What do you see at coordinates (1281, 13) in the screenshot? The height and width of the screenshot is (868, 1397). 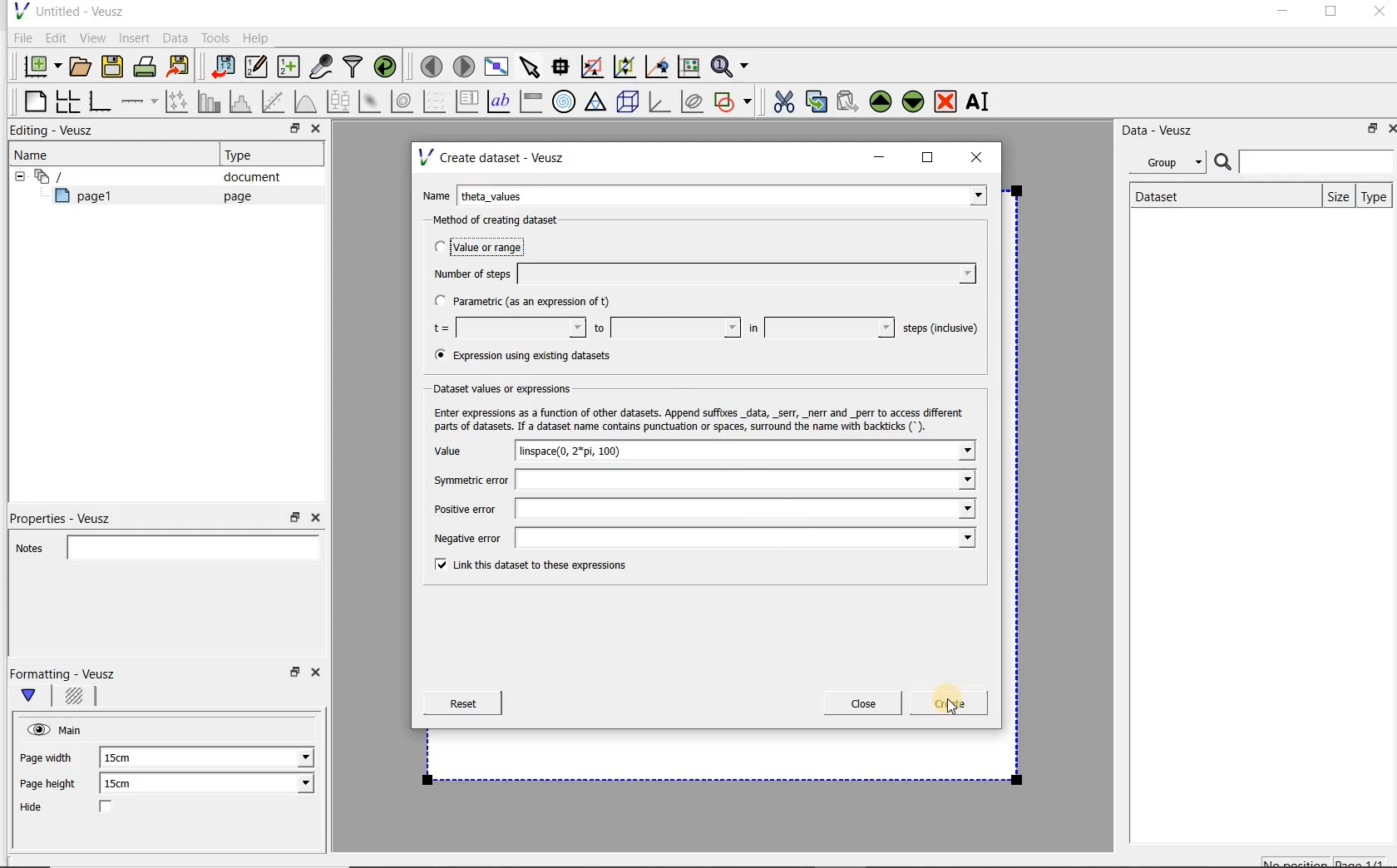 I see `minimize` at bounding box center [1281, 13].